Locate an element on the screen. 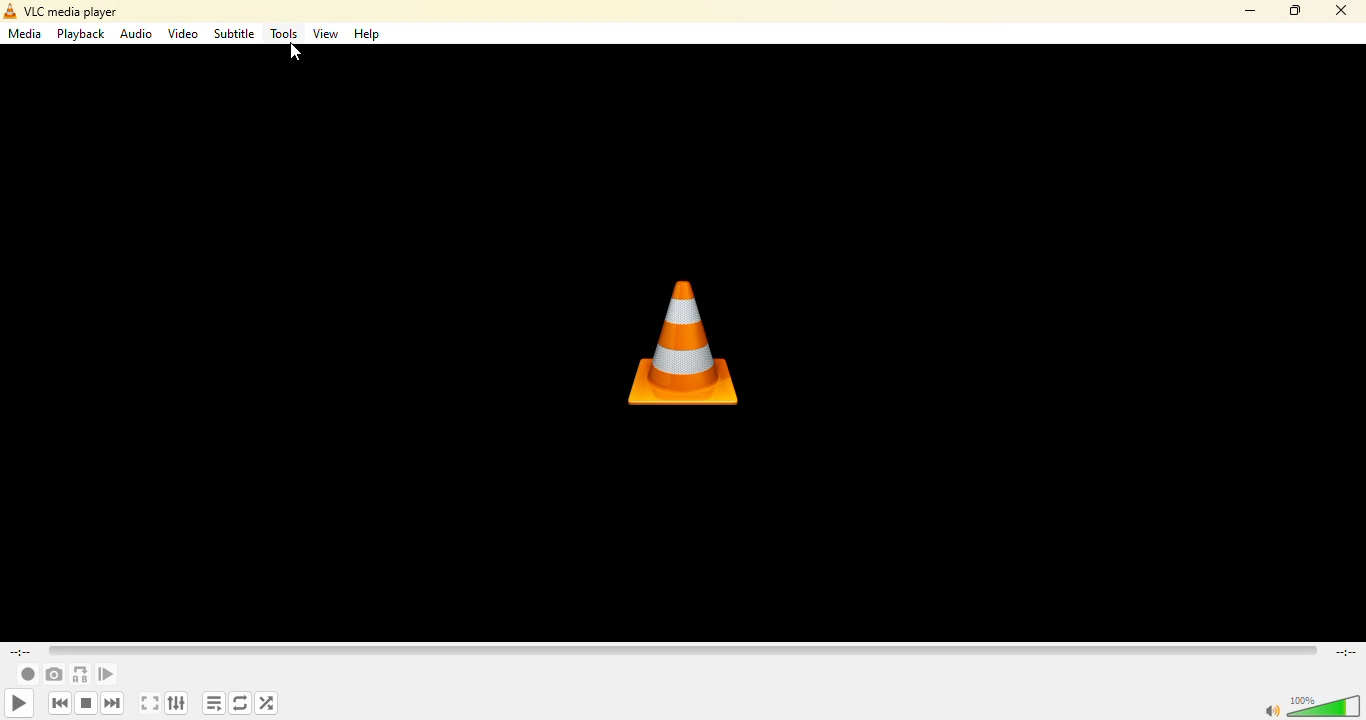 The height and width of the screenshot is (720, 1366). video is located at coordinates (183, 35).